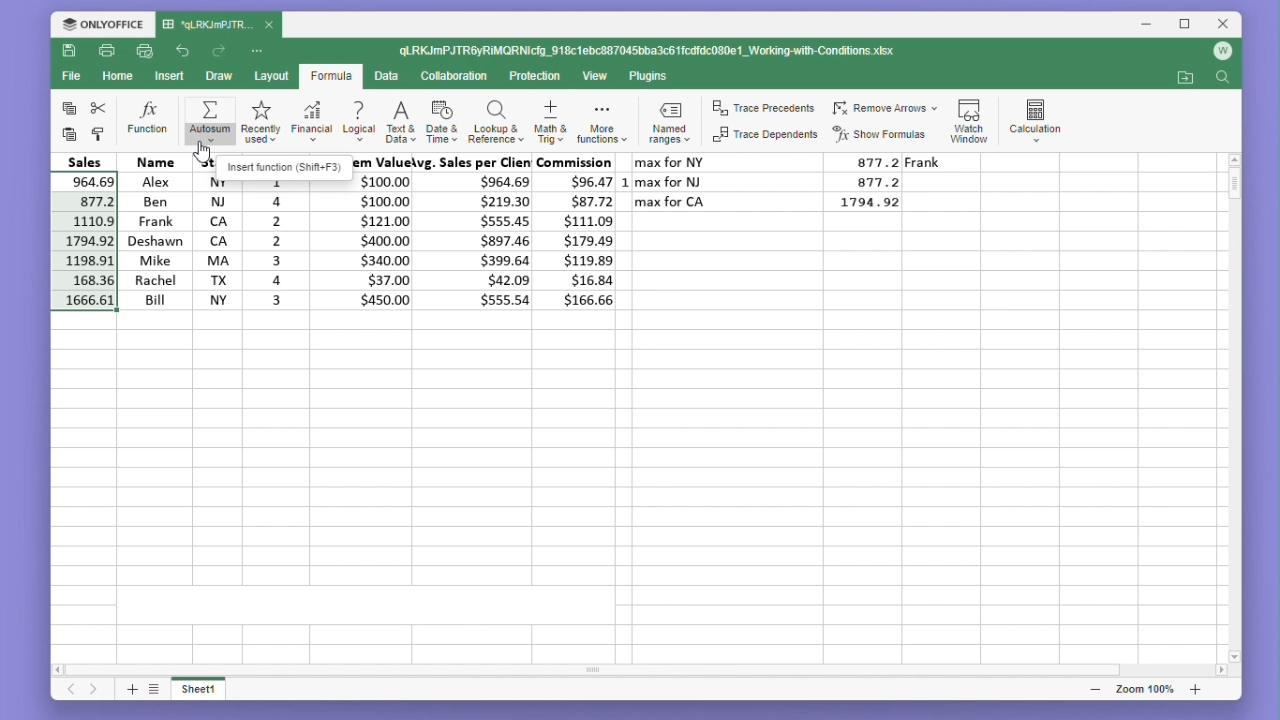 The width and height of the screenshot is (1280, 720). Describe the element at coordinates (149, 119) in the screenshot. I see `Function` at that location.